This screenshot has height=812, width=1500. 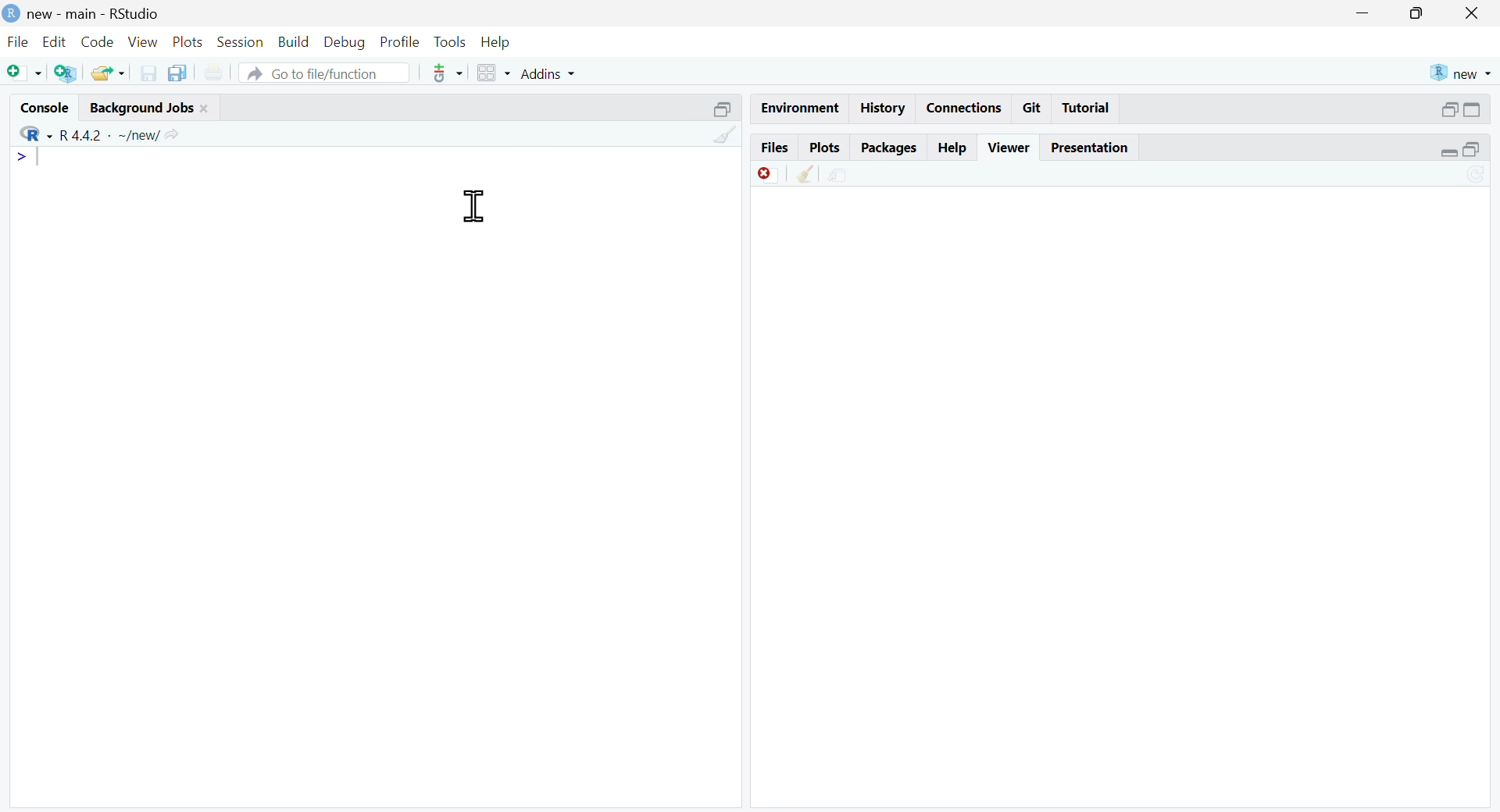 I want to click on print, so click(x=216, y=72).